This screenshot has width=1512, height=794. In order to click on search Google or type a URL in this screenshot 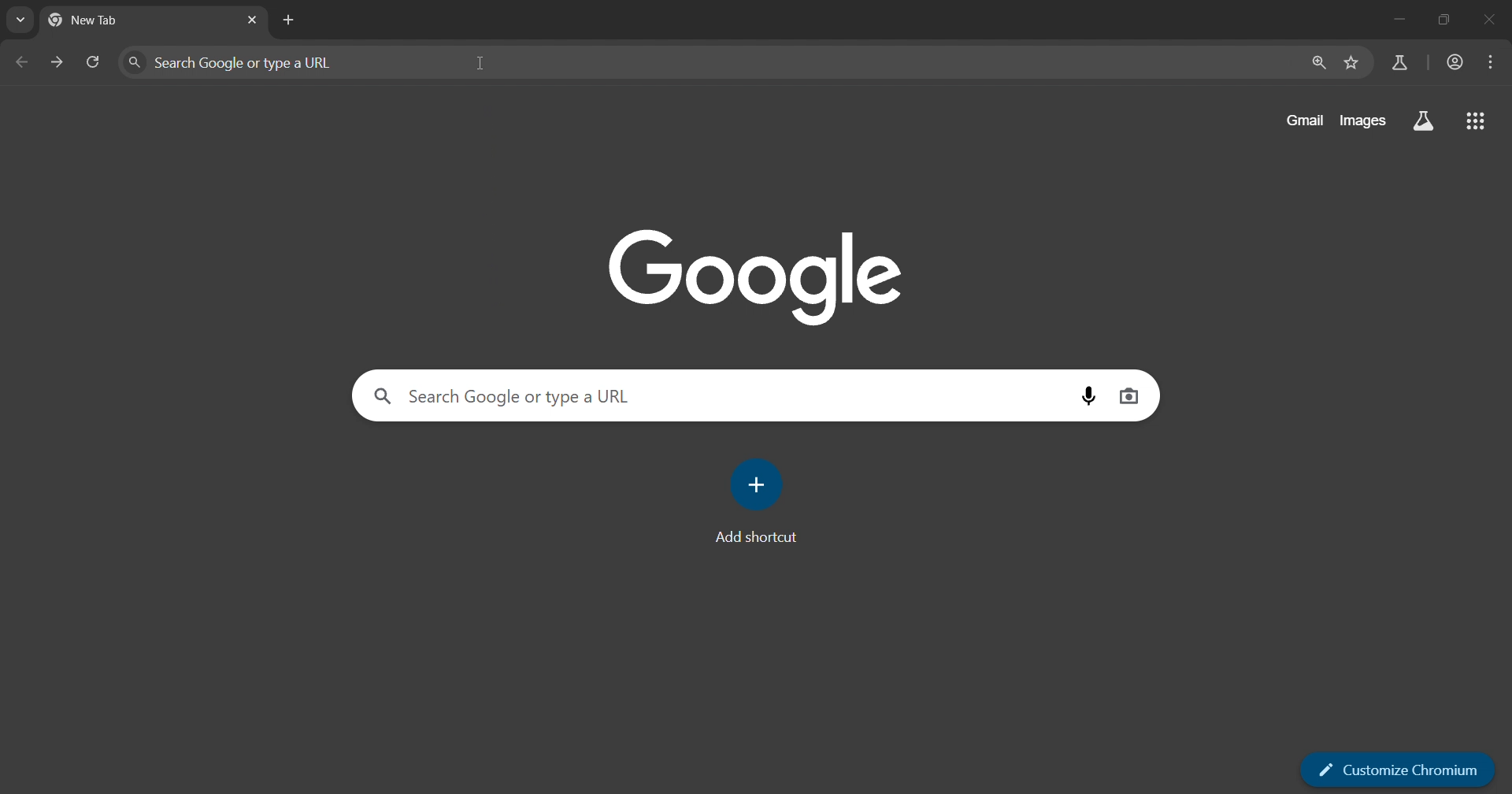, I will do `click(707, 394)`.